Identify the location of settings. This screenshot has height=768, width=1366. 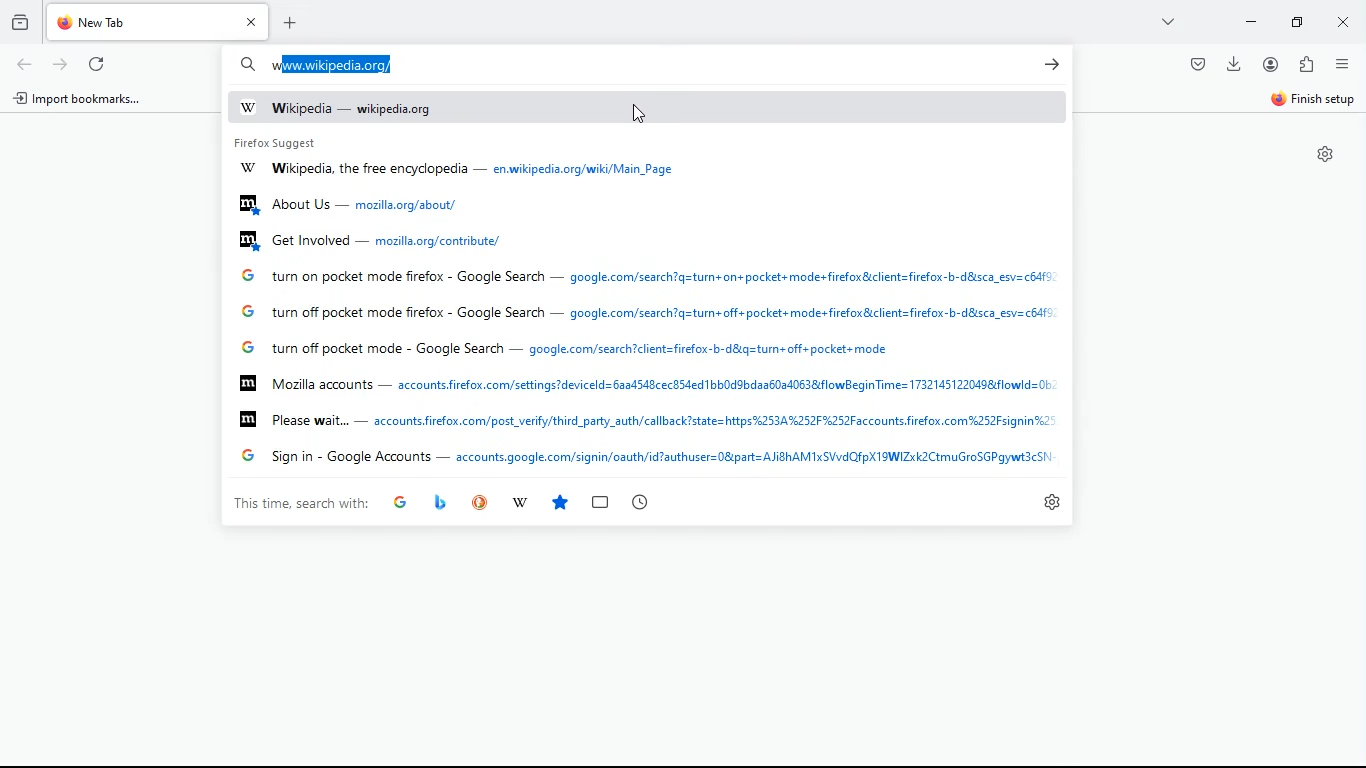
(1326, 154).